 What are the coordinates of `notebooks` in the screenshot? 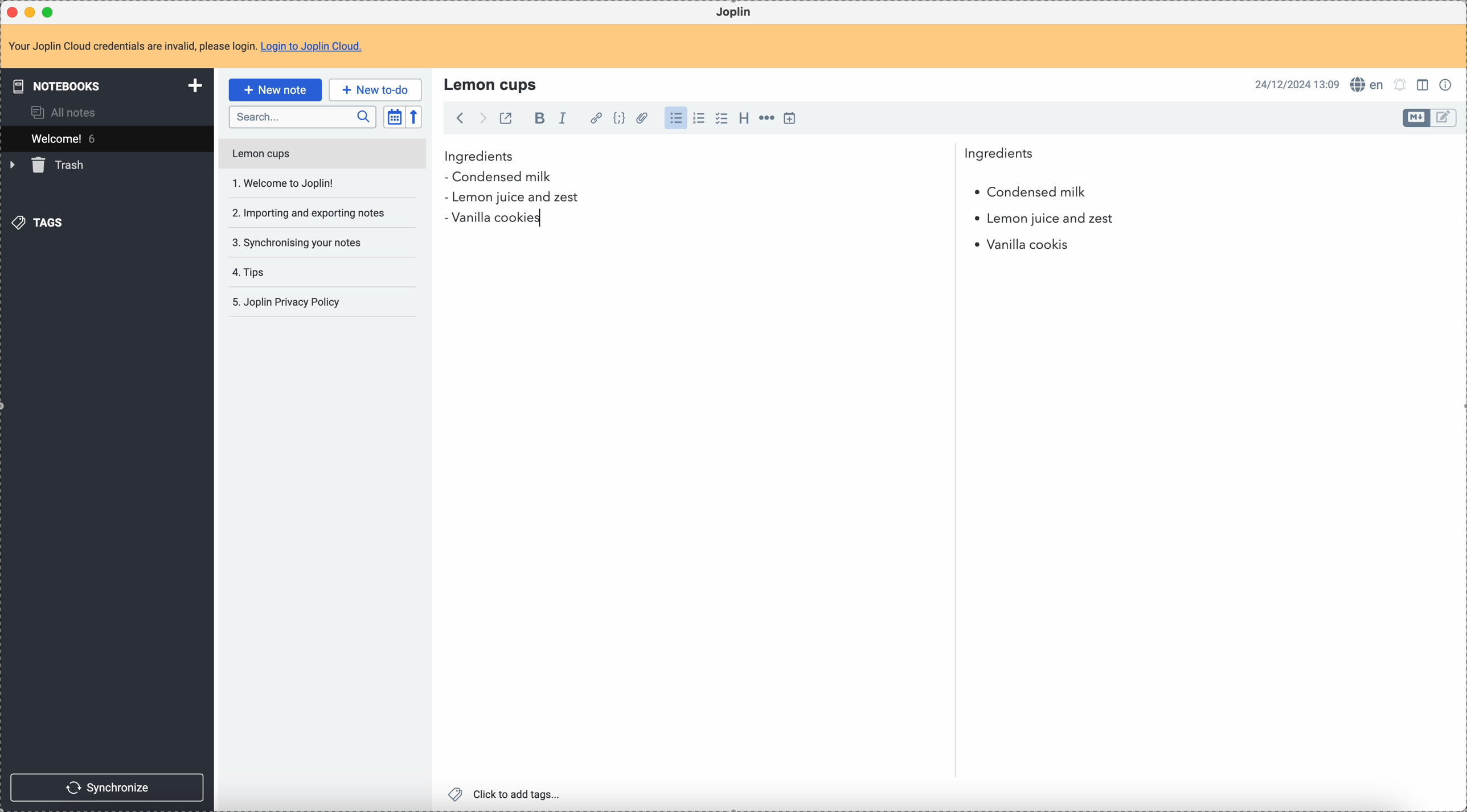 It's located at (109, 85).